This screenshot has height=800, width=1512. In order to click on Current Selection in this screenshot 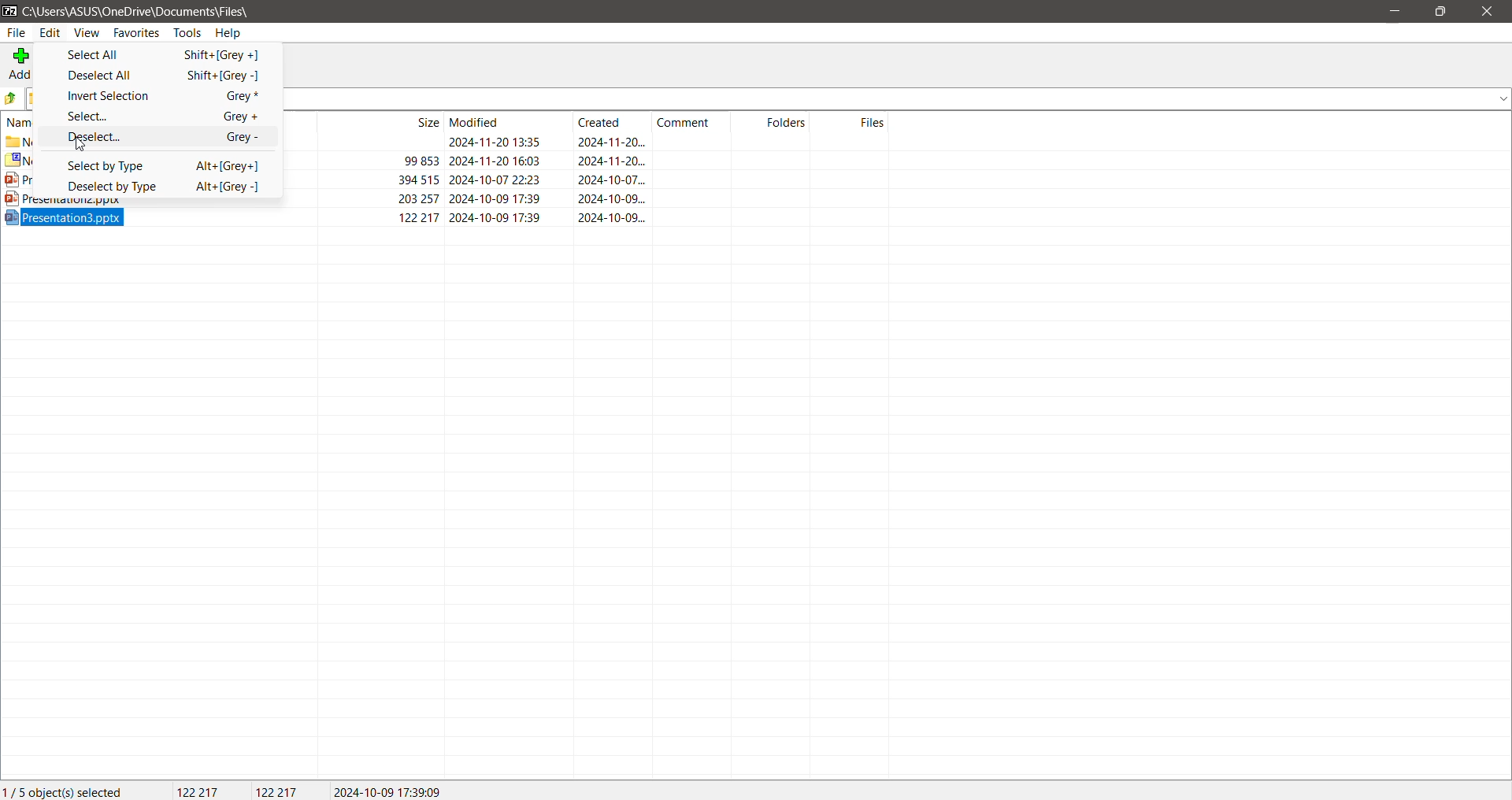, I will do `click(67, 791)`.